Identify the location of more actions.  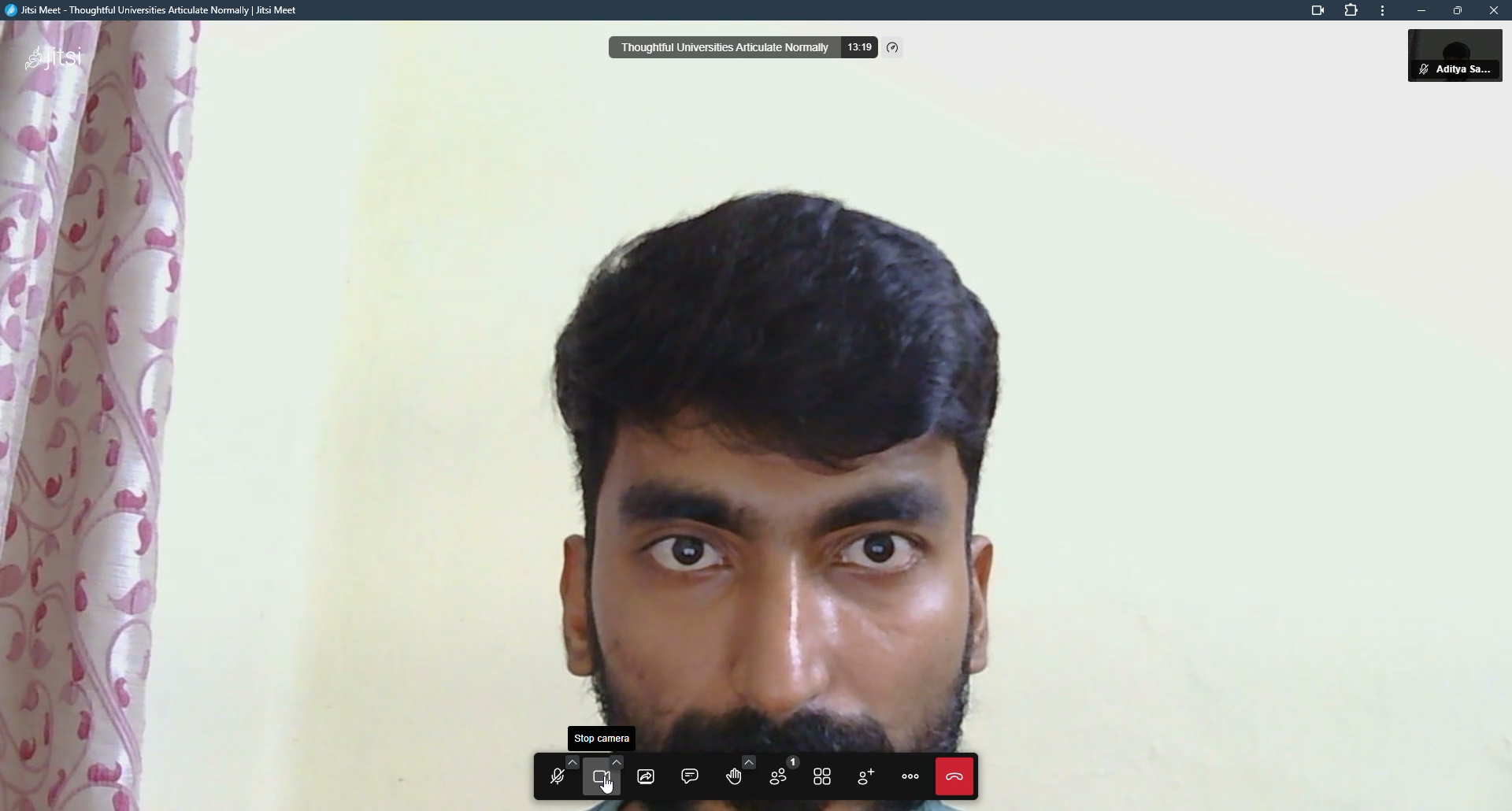
(910, 776).